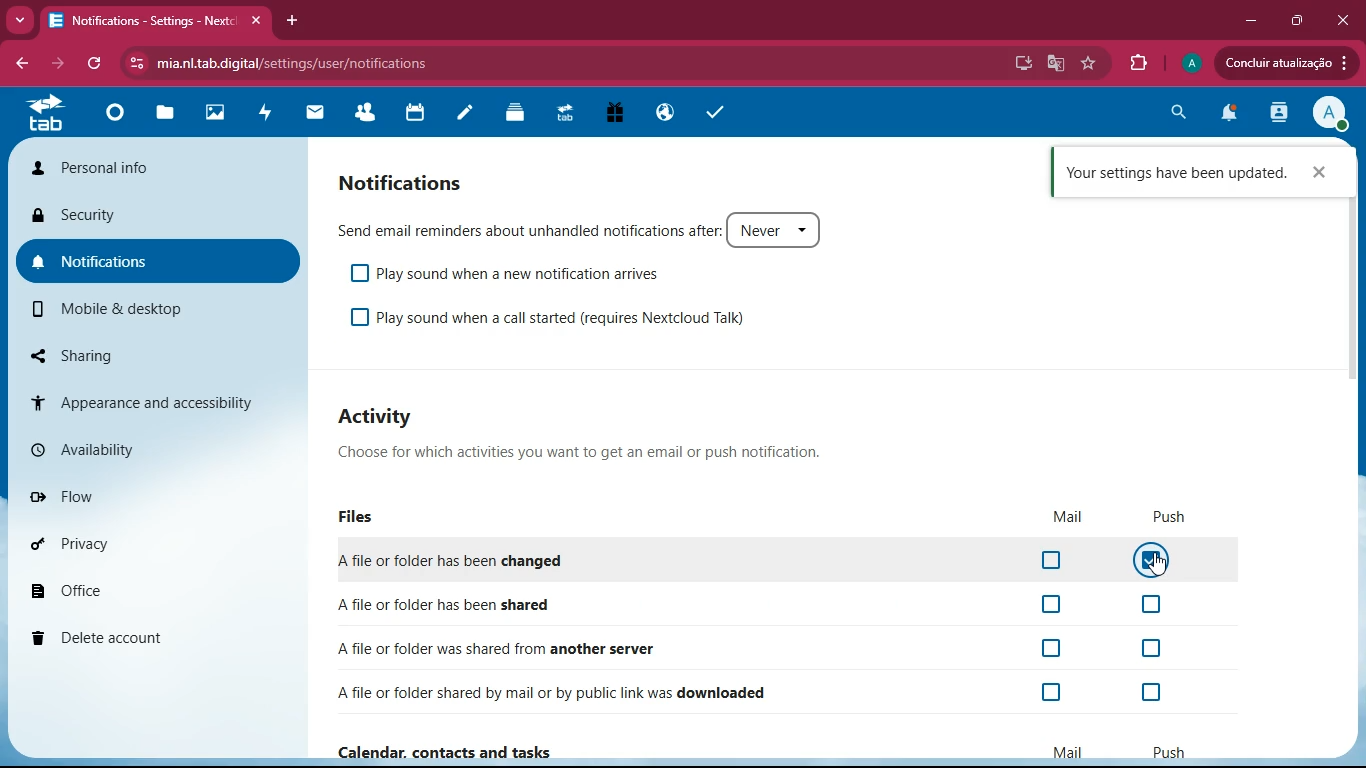 The image size is (1366, 768). Describe the element at coordinates (415, 180) in the screenshot. I see `notifications` at that location.